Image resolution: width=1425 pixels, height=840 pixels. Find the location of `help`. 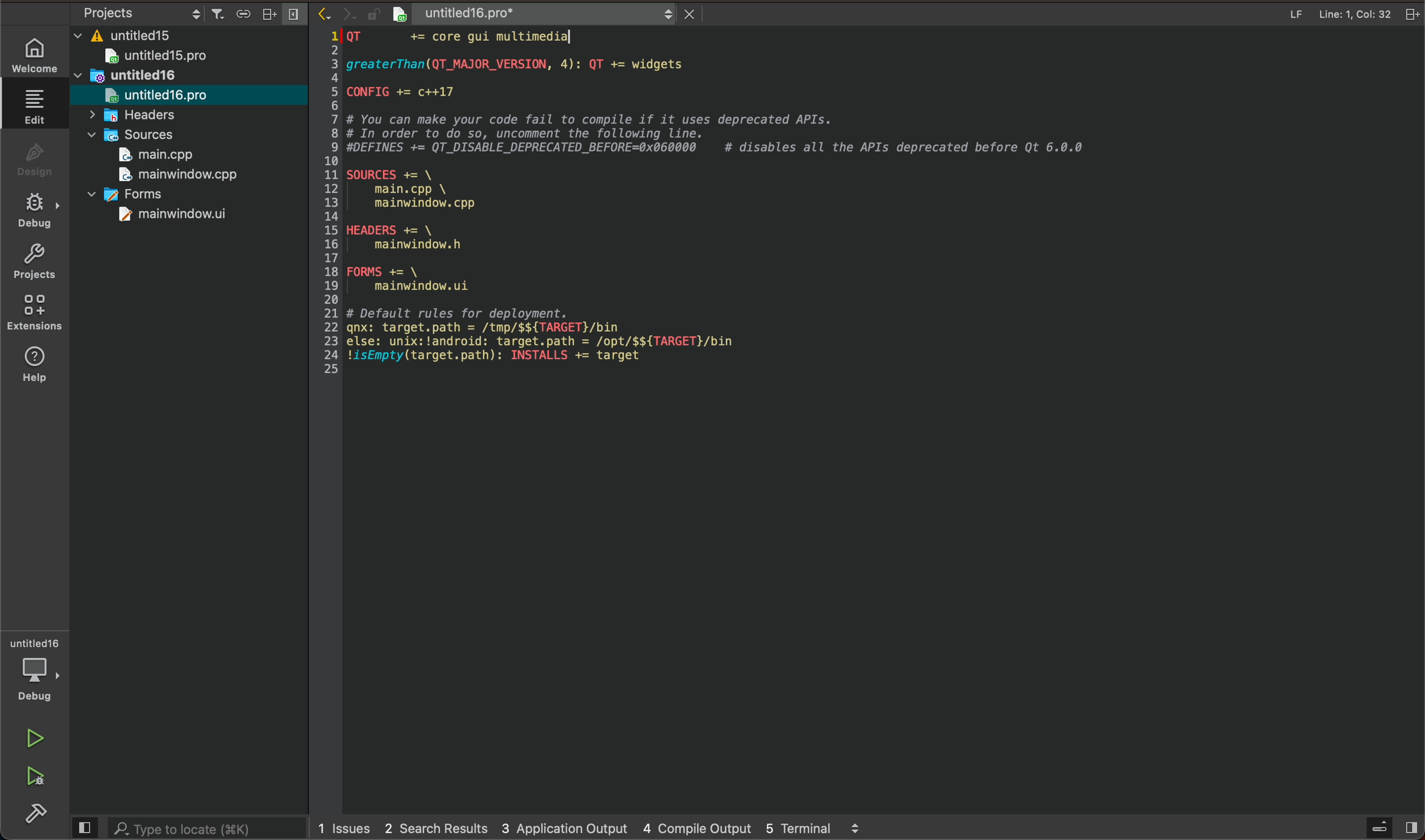

help is located at coordinates (38, 364).